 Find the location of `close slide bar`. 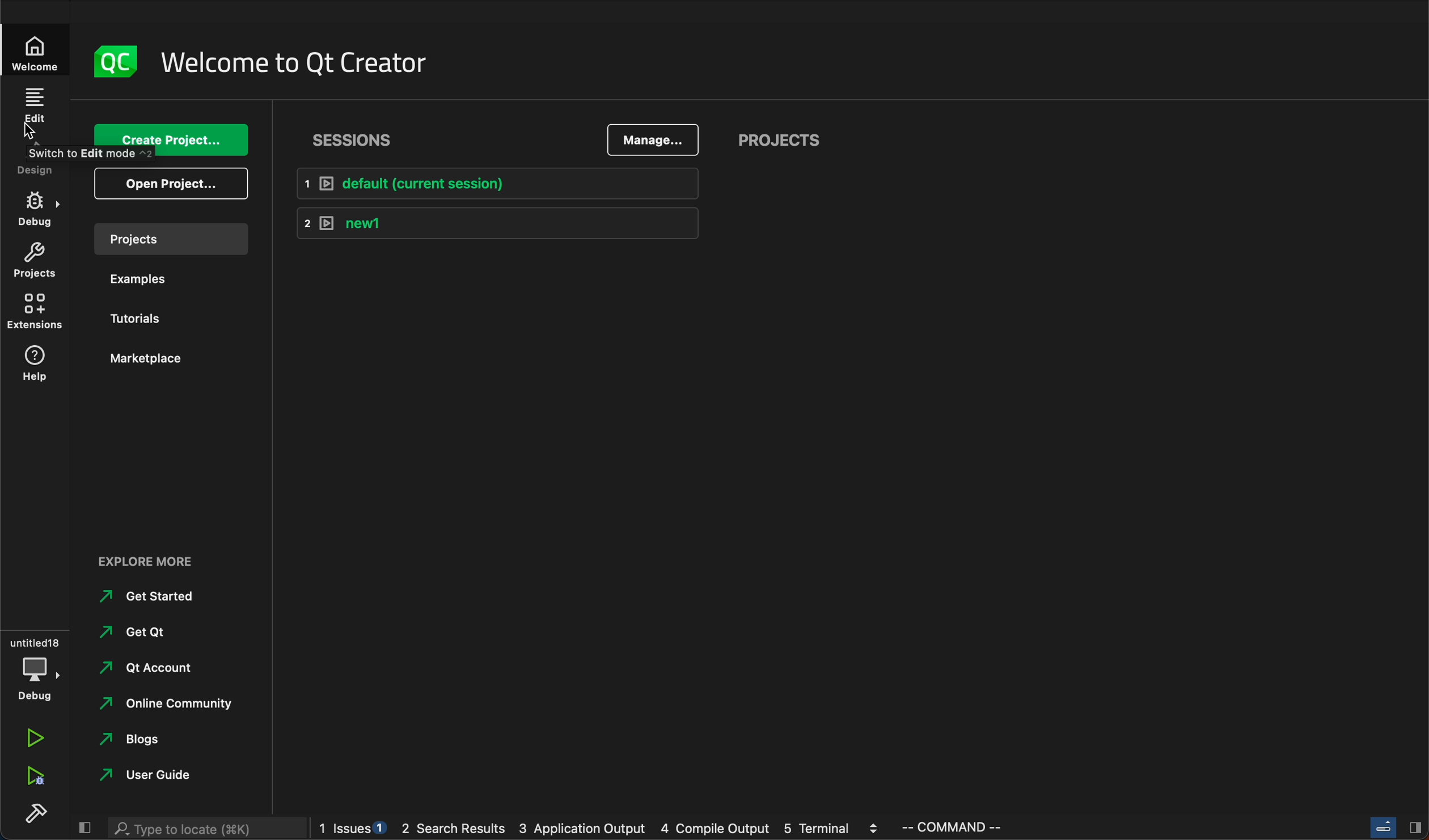

close slide bar is located at coordinates (85, 827).